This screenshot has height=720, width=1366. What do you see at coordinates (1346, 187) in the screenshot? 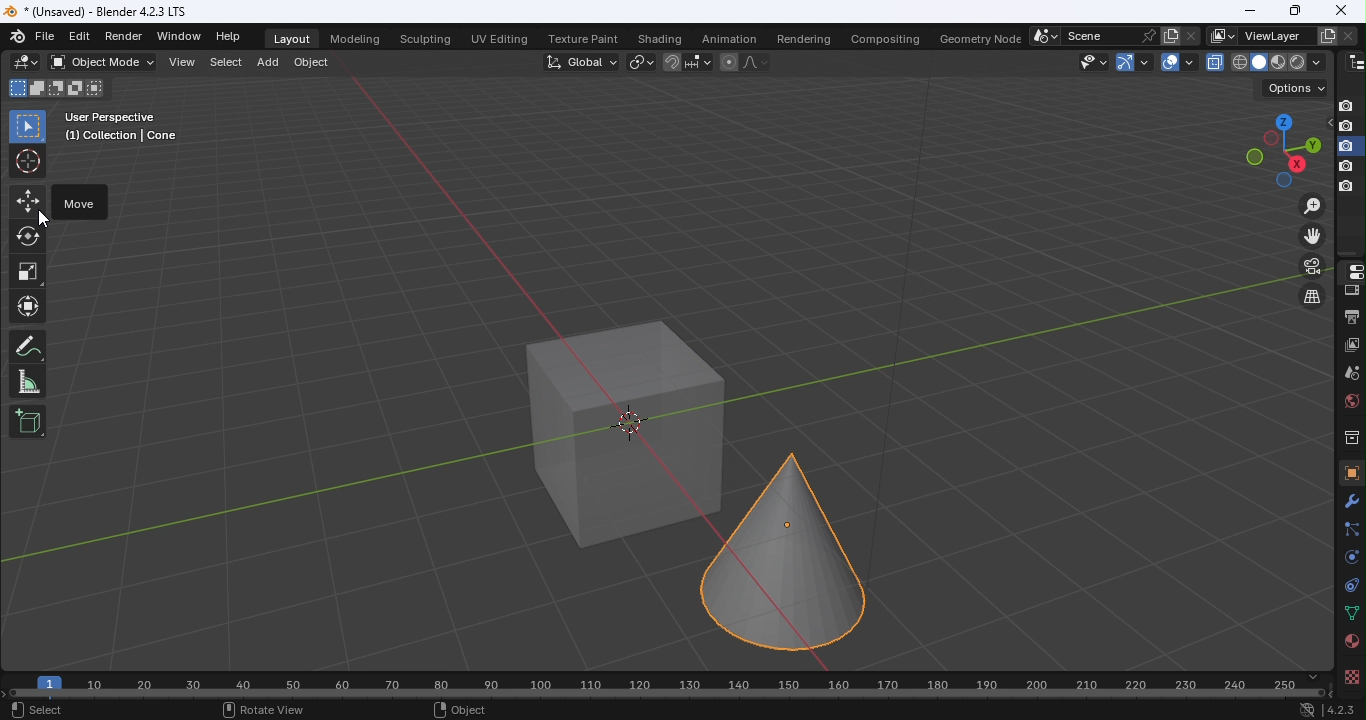
I see `disable in renders` at bounding box center [1346, 187].